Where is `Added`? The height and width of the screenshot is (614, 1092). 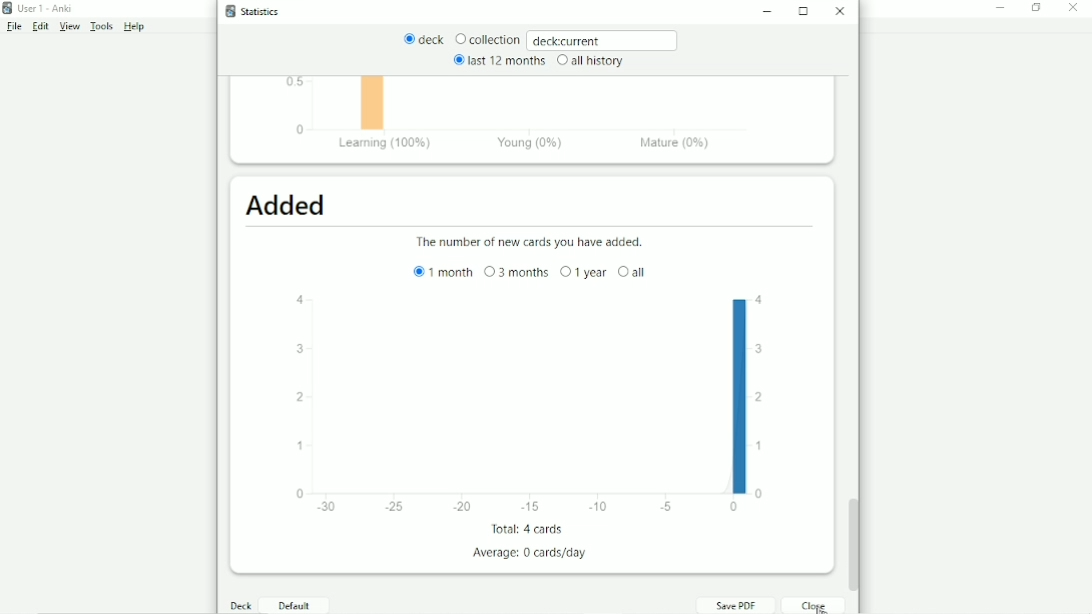
Added is located at coordinates (292, 205).